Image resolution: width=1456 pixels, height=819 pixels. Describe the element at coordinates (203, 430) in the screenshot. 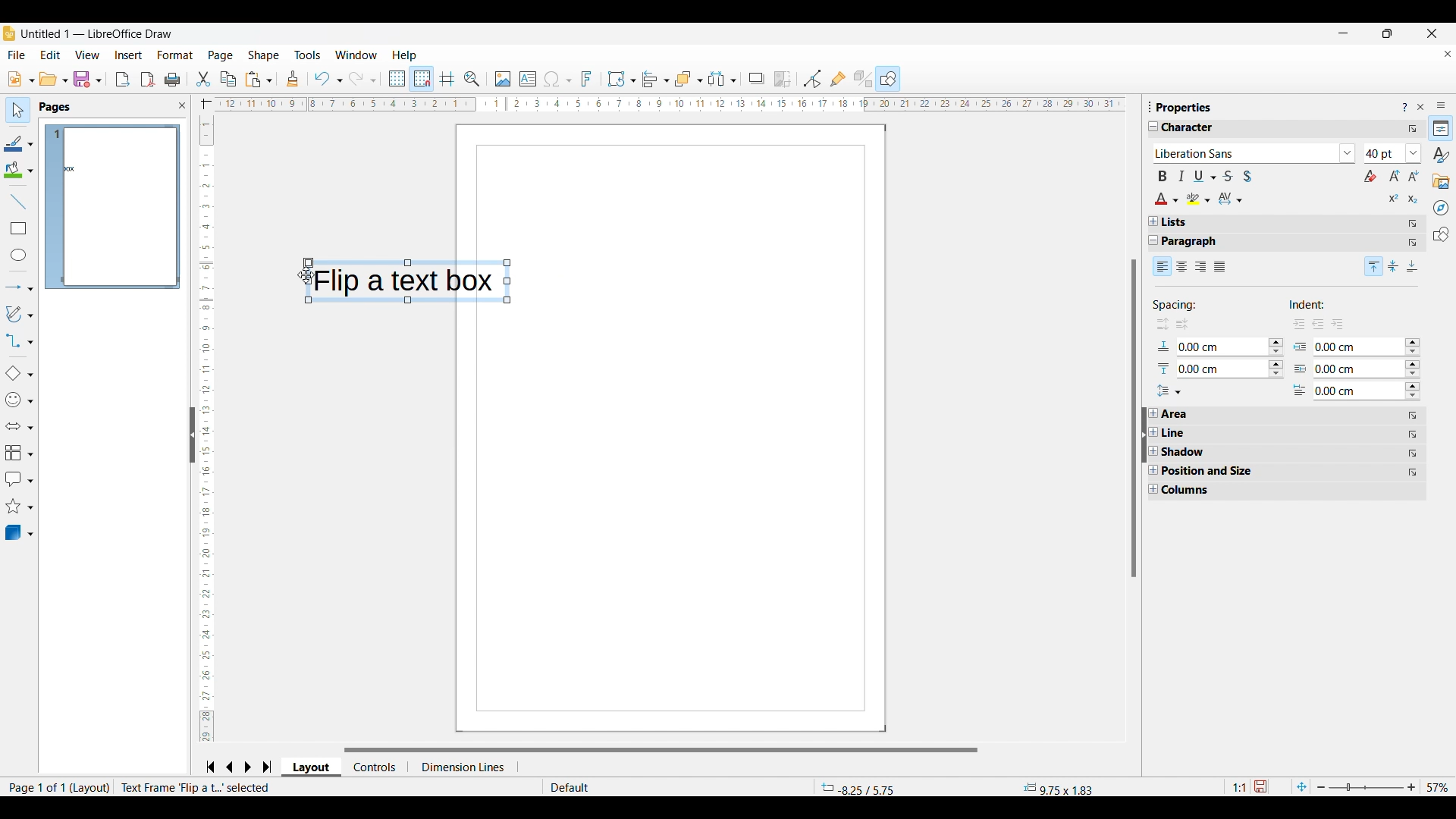

I see `Vertical slide bar` at that location.